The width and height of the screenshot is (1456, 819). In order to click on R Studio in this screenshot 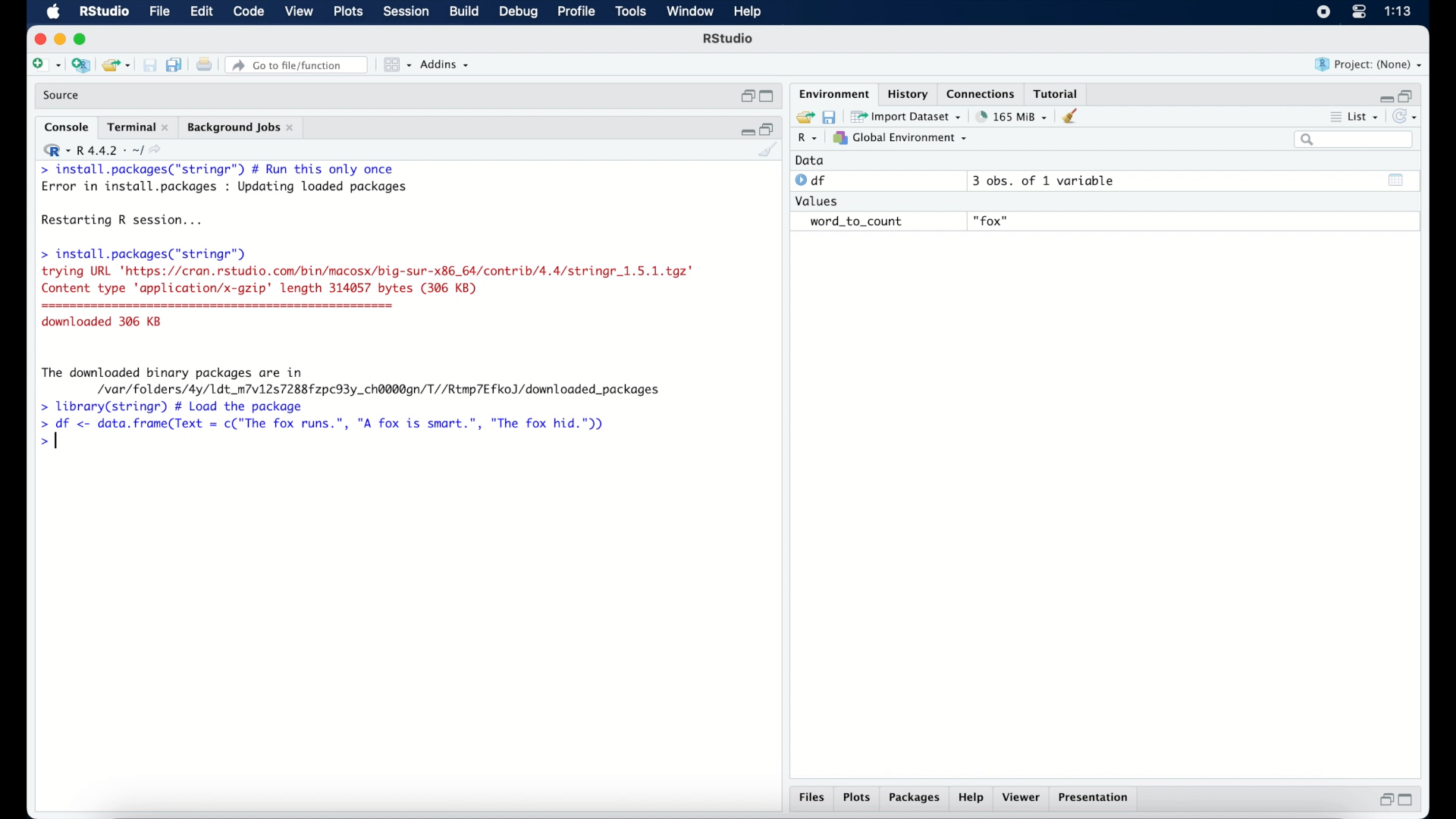, I will do `click(103, 12)`.